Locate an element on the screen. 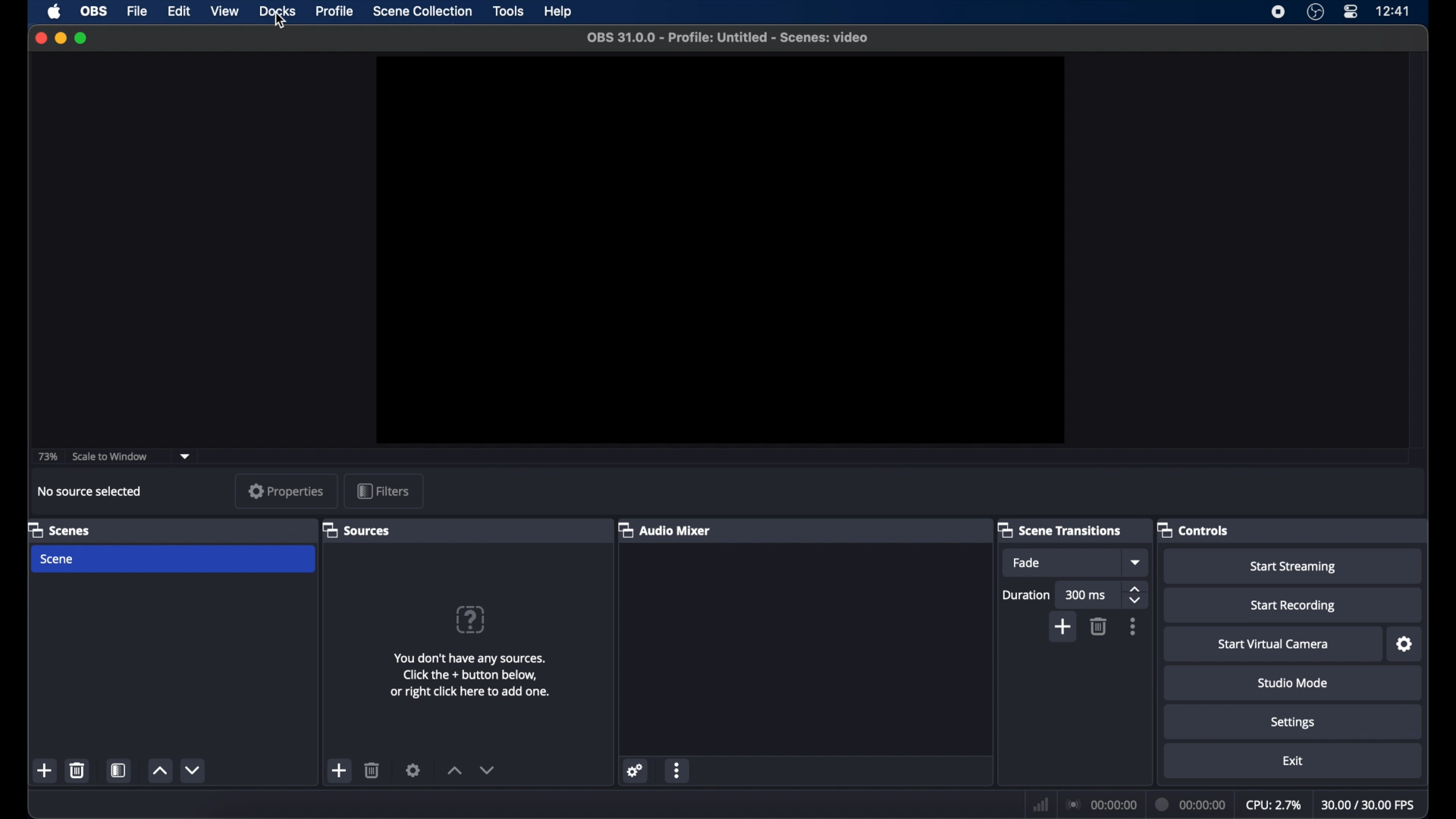 This screenshot has width=1456, height=819. edit is located at coordinates (178, 11).